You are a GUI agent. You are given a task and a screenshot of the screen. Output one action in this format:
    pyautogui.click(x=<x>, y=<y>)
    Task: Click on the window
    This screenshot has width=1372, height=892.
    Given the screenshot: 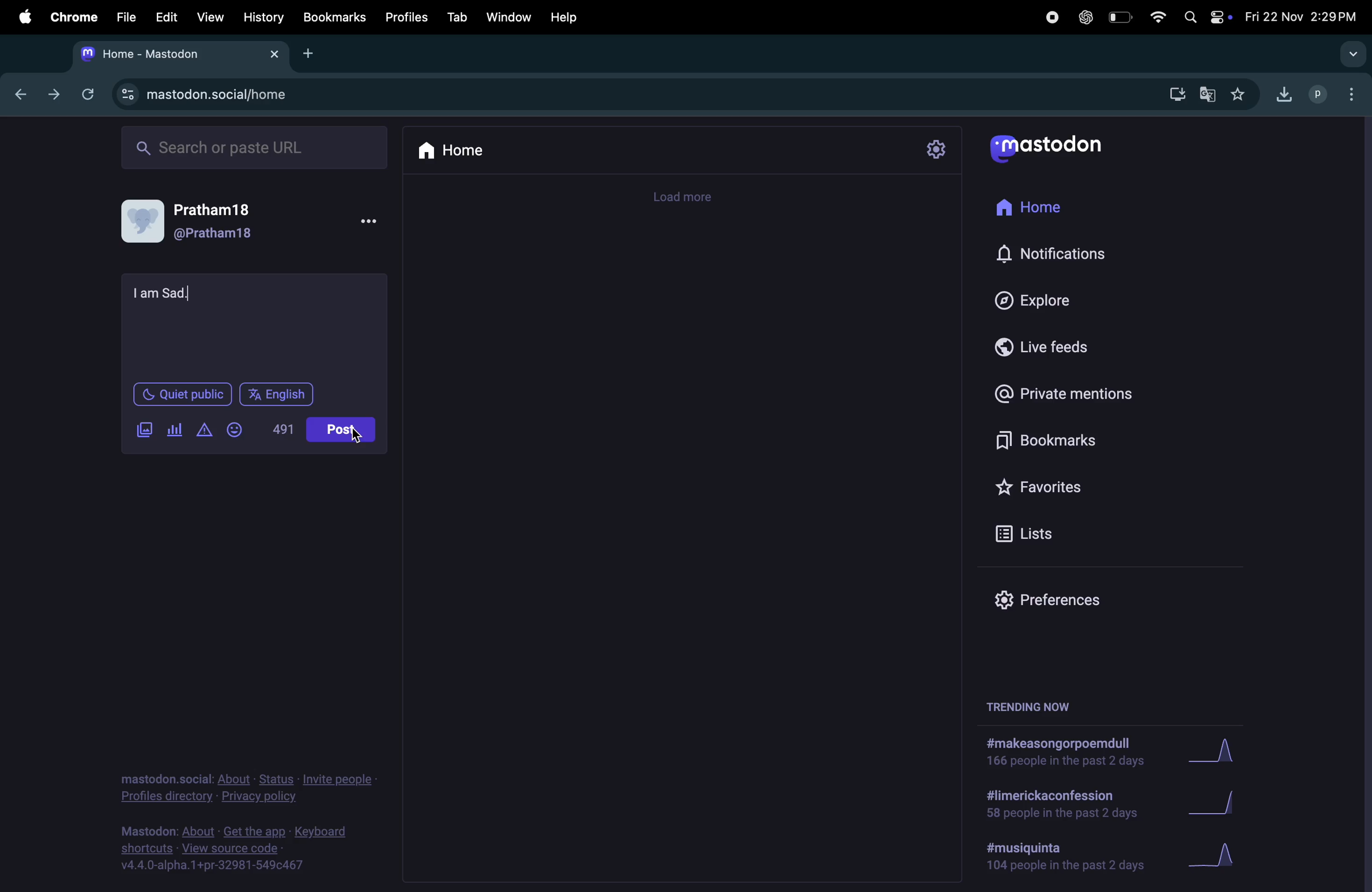 What is the action you would take?
    pyautogui.click(x=507, y=16)
    